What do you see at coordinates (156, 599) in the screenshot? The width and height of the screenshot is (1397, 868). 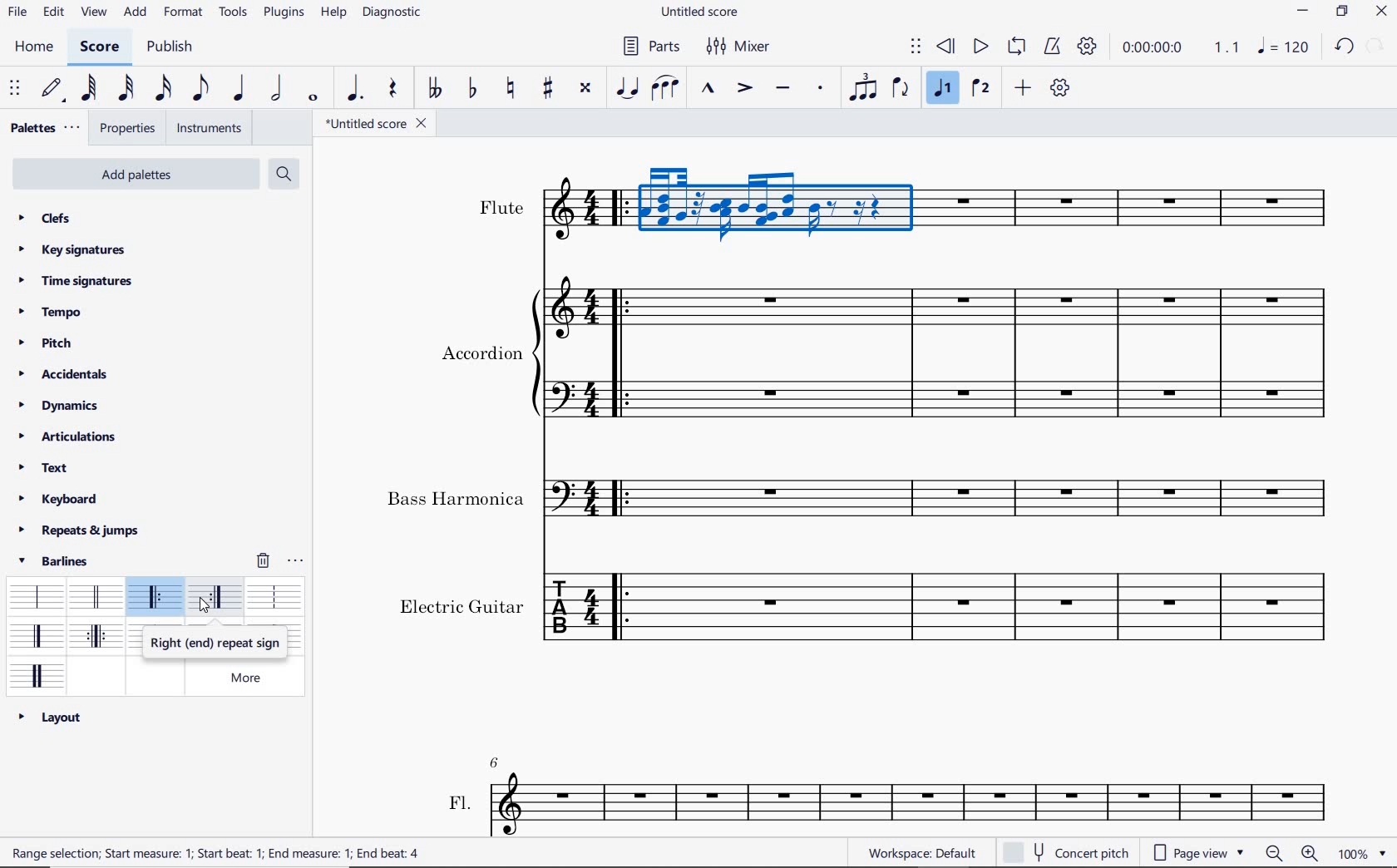 I see `left (start) repeat sign` at bounding box center [156, 599].